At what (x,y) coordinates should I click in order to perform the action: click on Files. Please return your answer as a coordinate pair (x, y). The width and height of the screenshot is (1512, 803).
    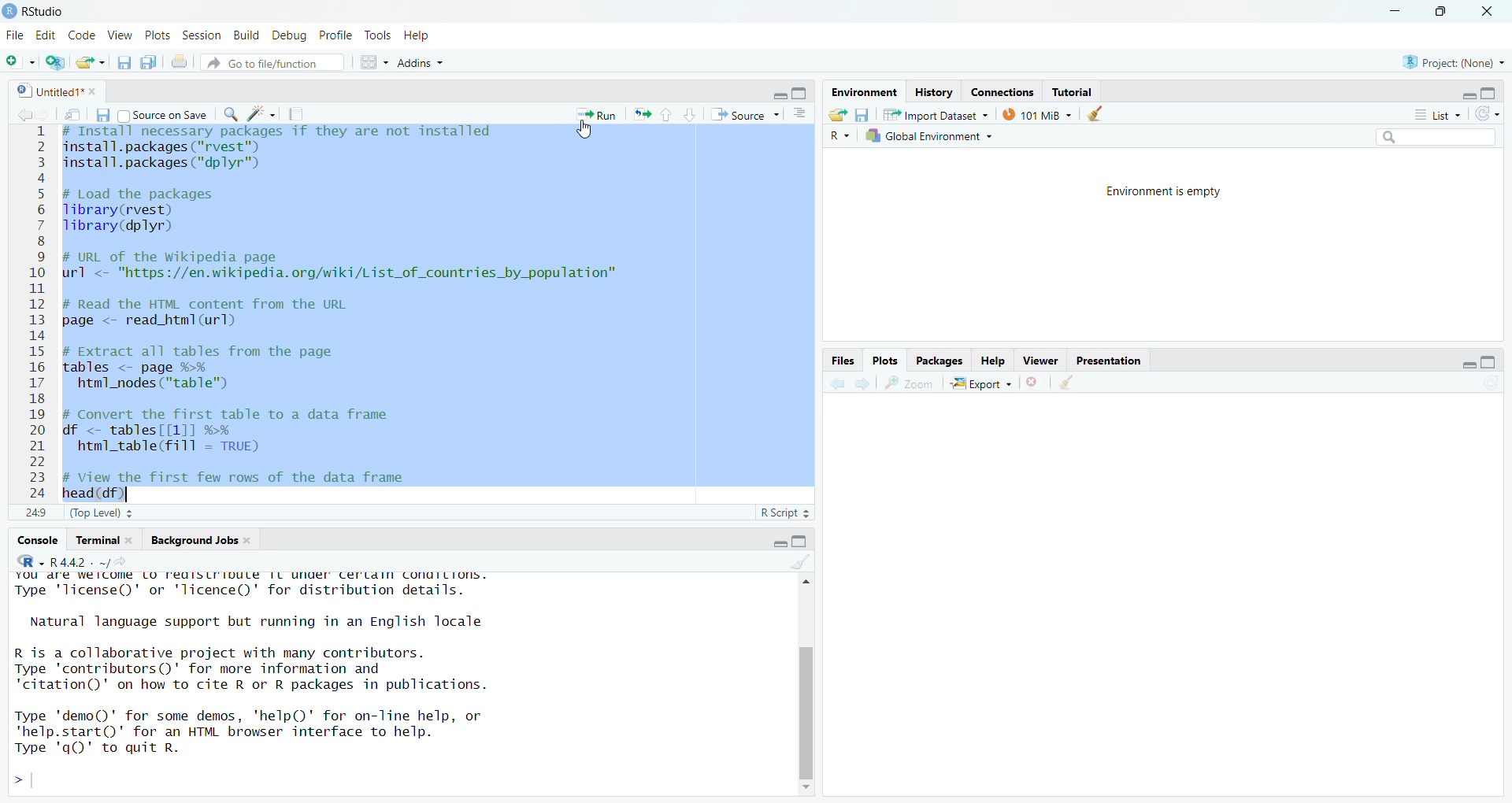
    Looking at the image, I should click on (843, 361).